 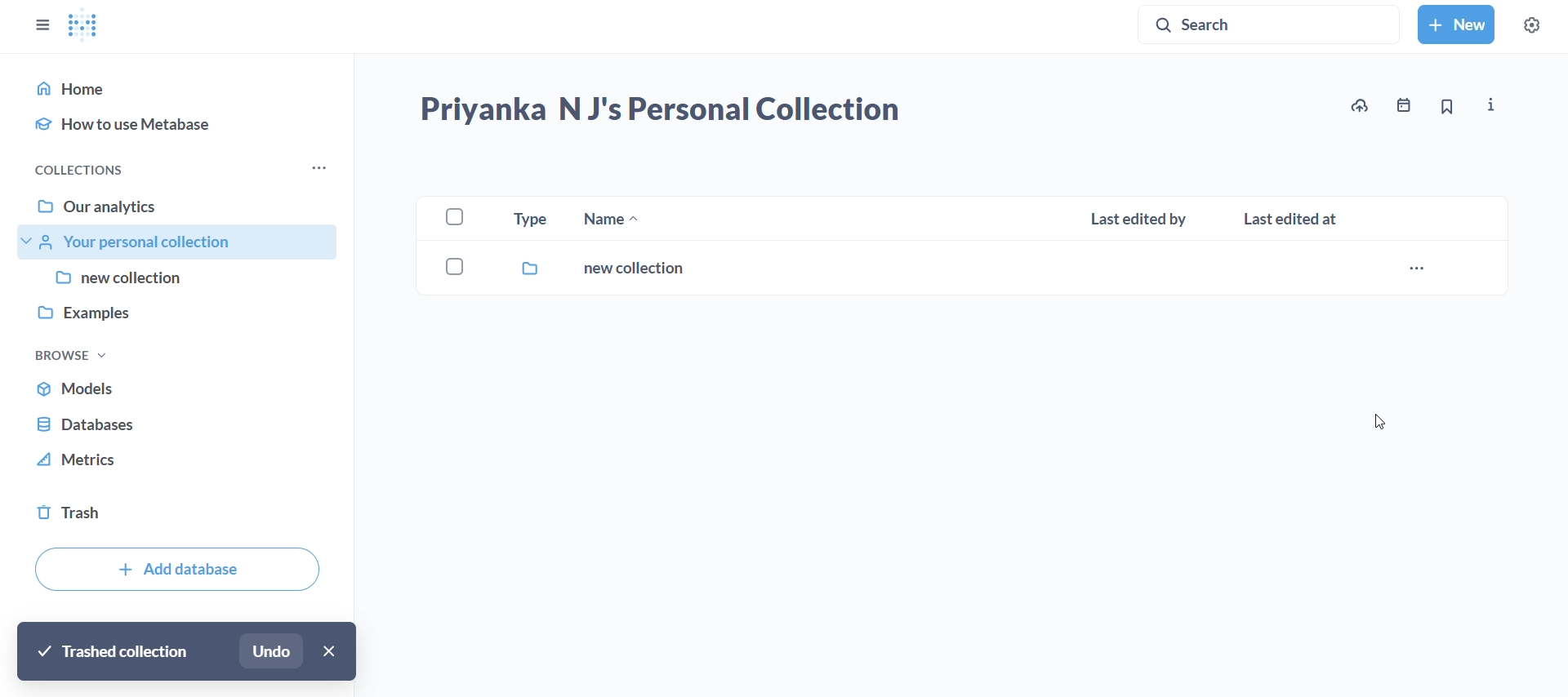 I want to click on search, so click(x=1274, y=24).